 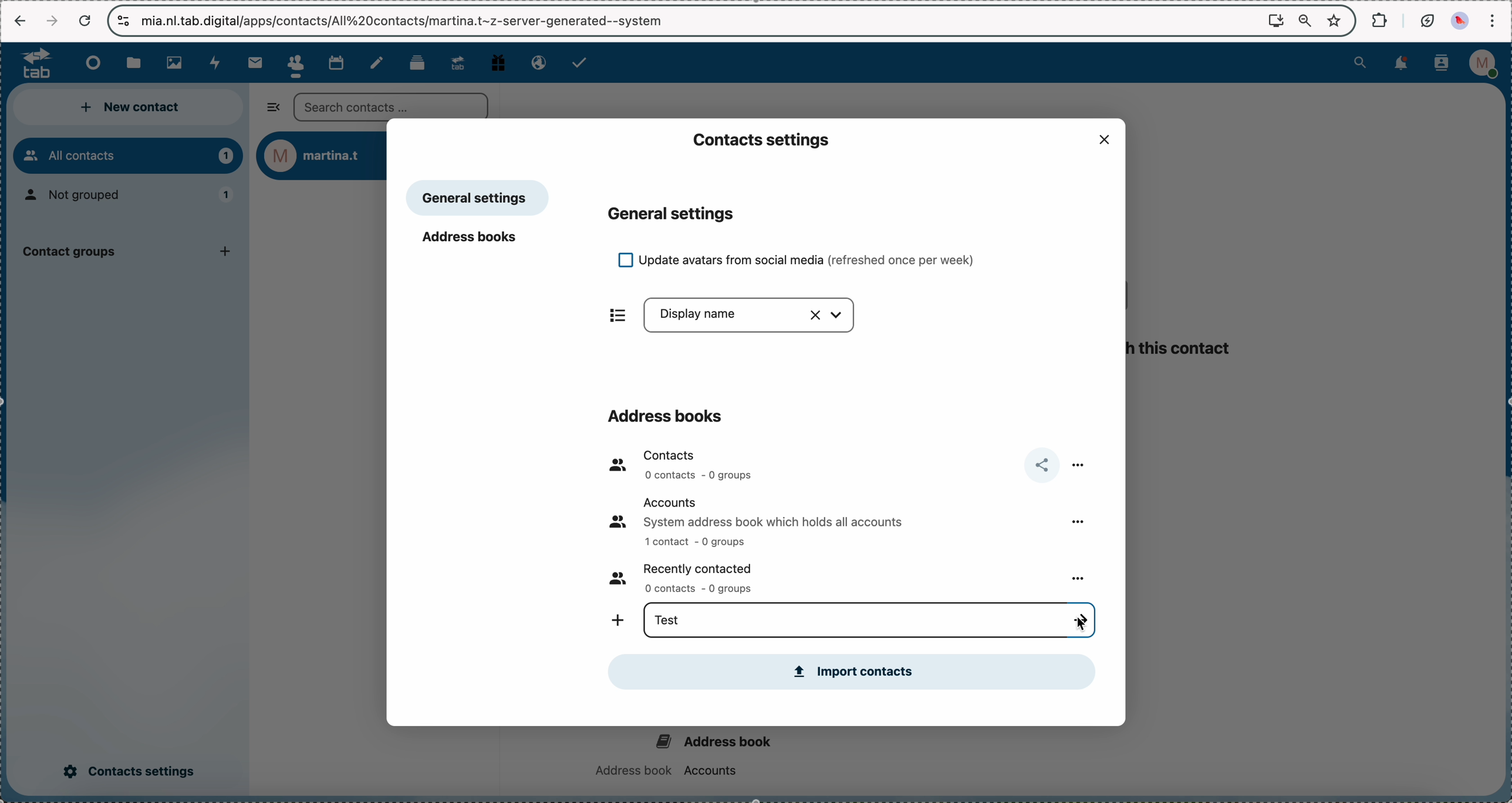 I want to click on url, so click(x=247, y=22).